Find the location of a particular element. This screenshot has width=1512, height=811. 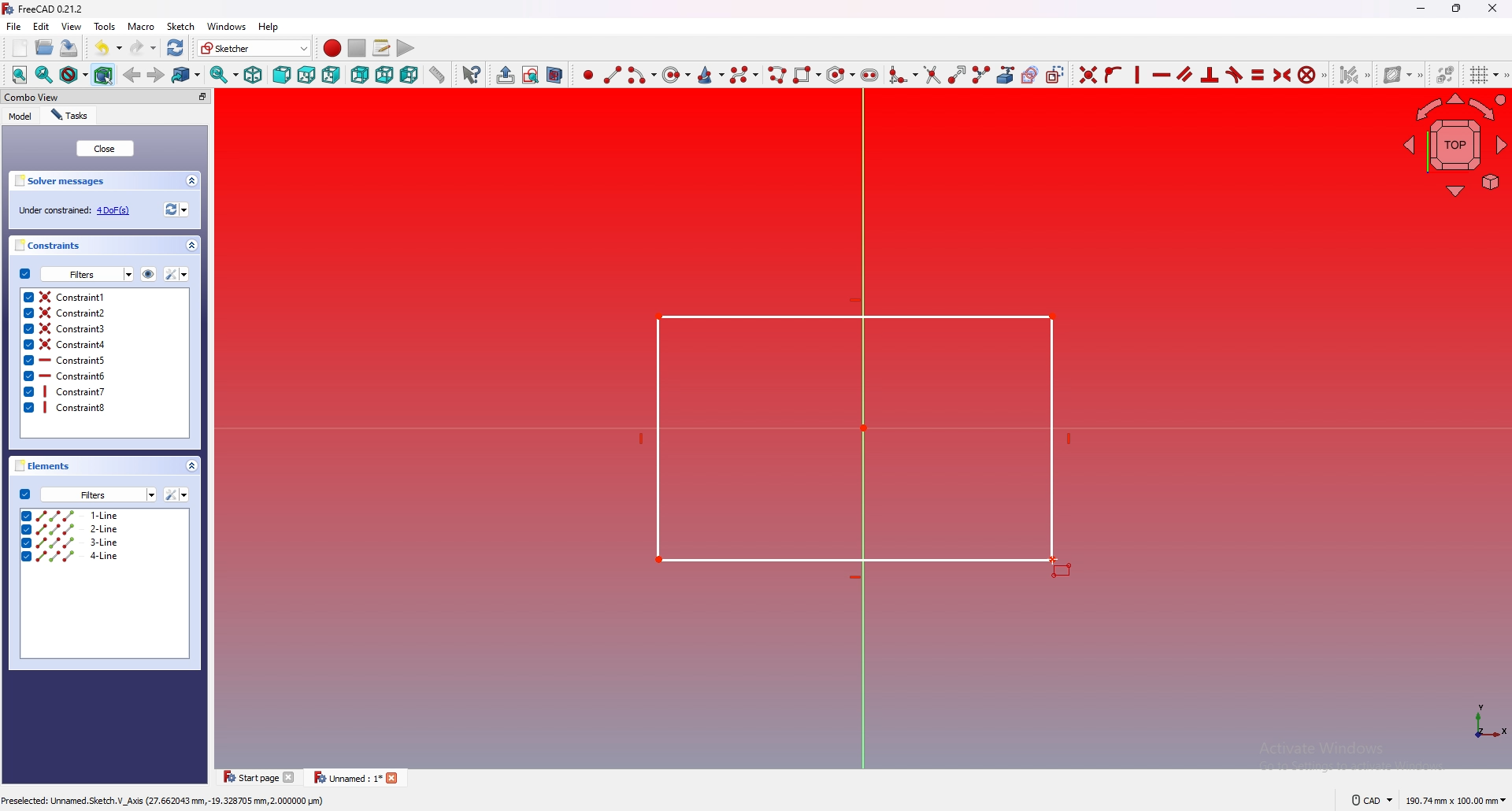

constraint 5 is located at coordinates (104, 359).